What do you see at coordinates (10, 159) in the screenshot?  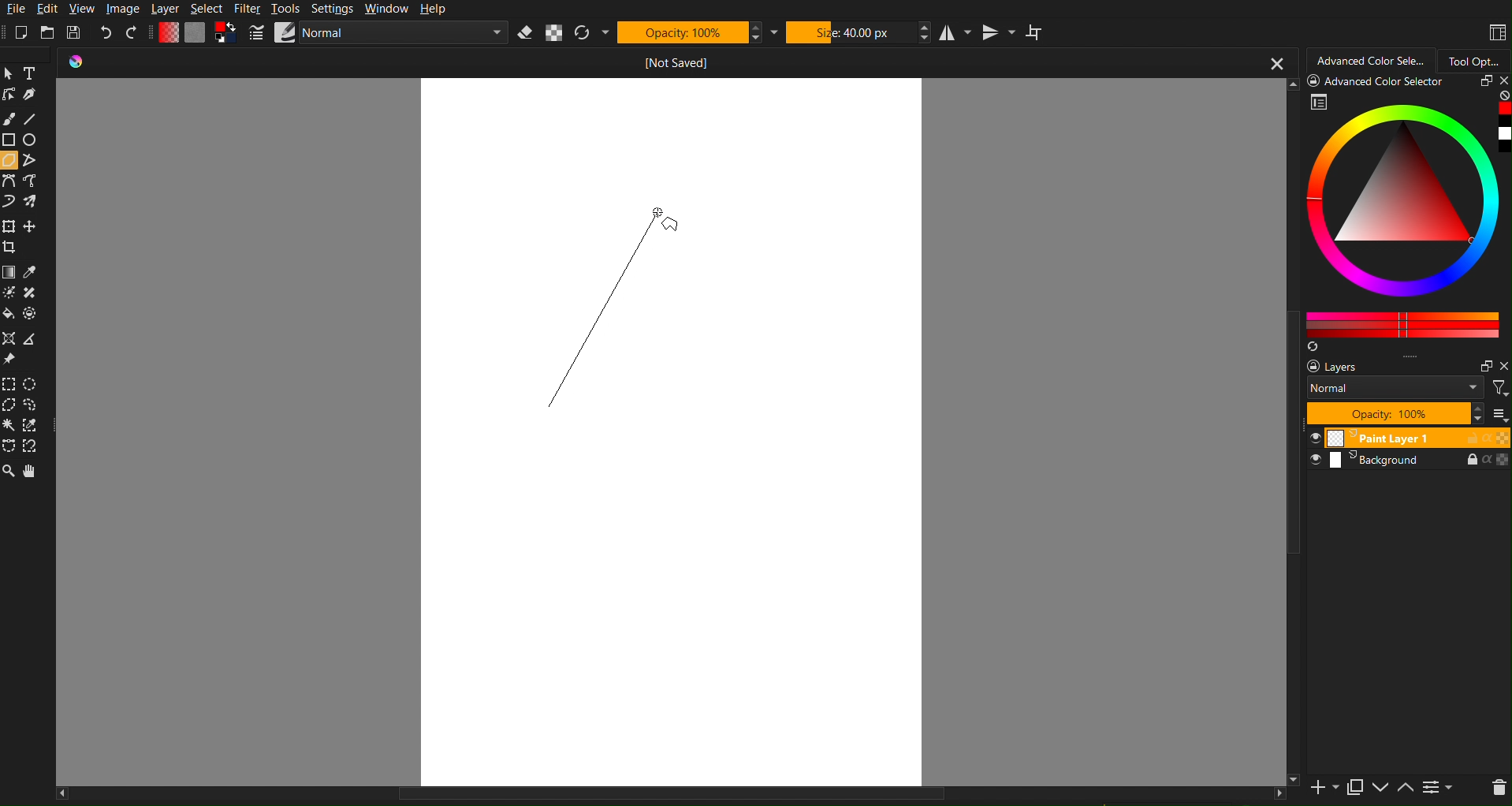 I see `polygon tool` at bounding box center [10, 159].